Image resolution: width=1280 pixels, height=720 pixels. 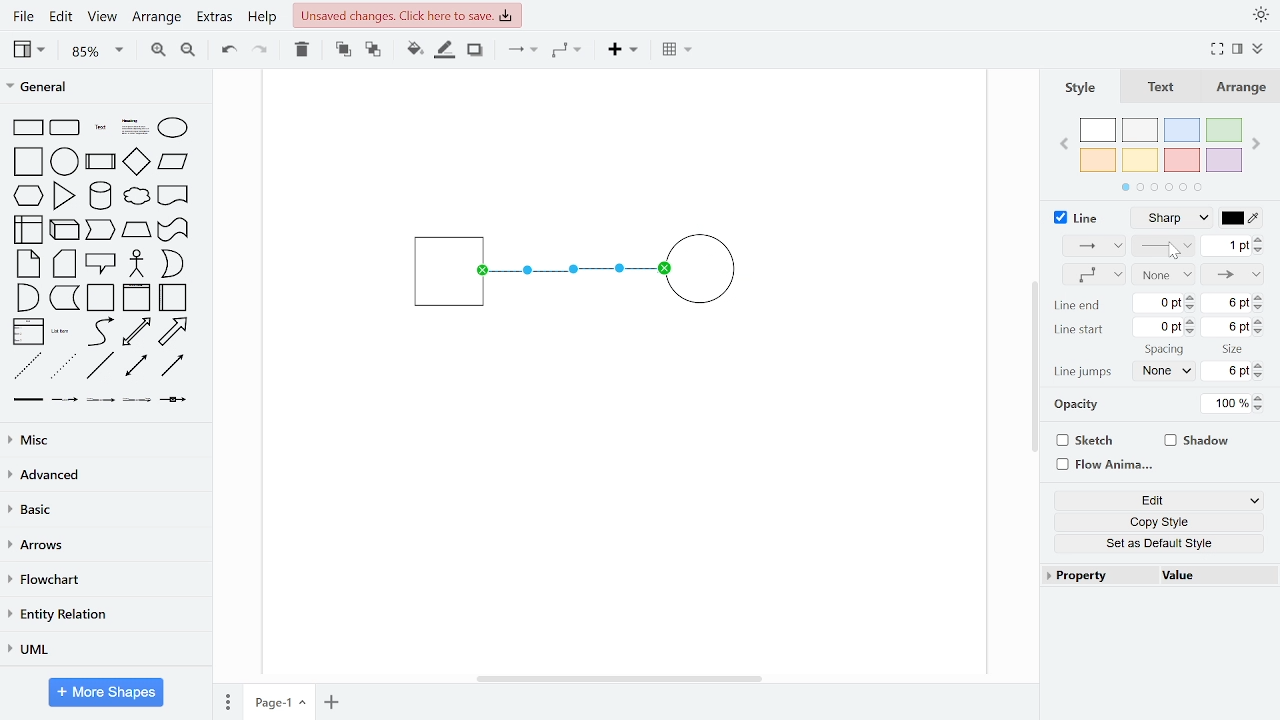 What do you see at coordinates (1166, 350) in the screenshot?
I see `spacing` at bounding box center [1166, 350].